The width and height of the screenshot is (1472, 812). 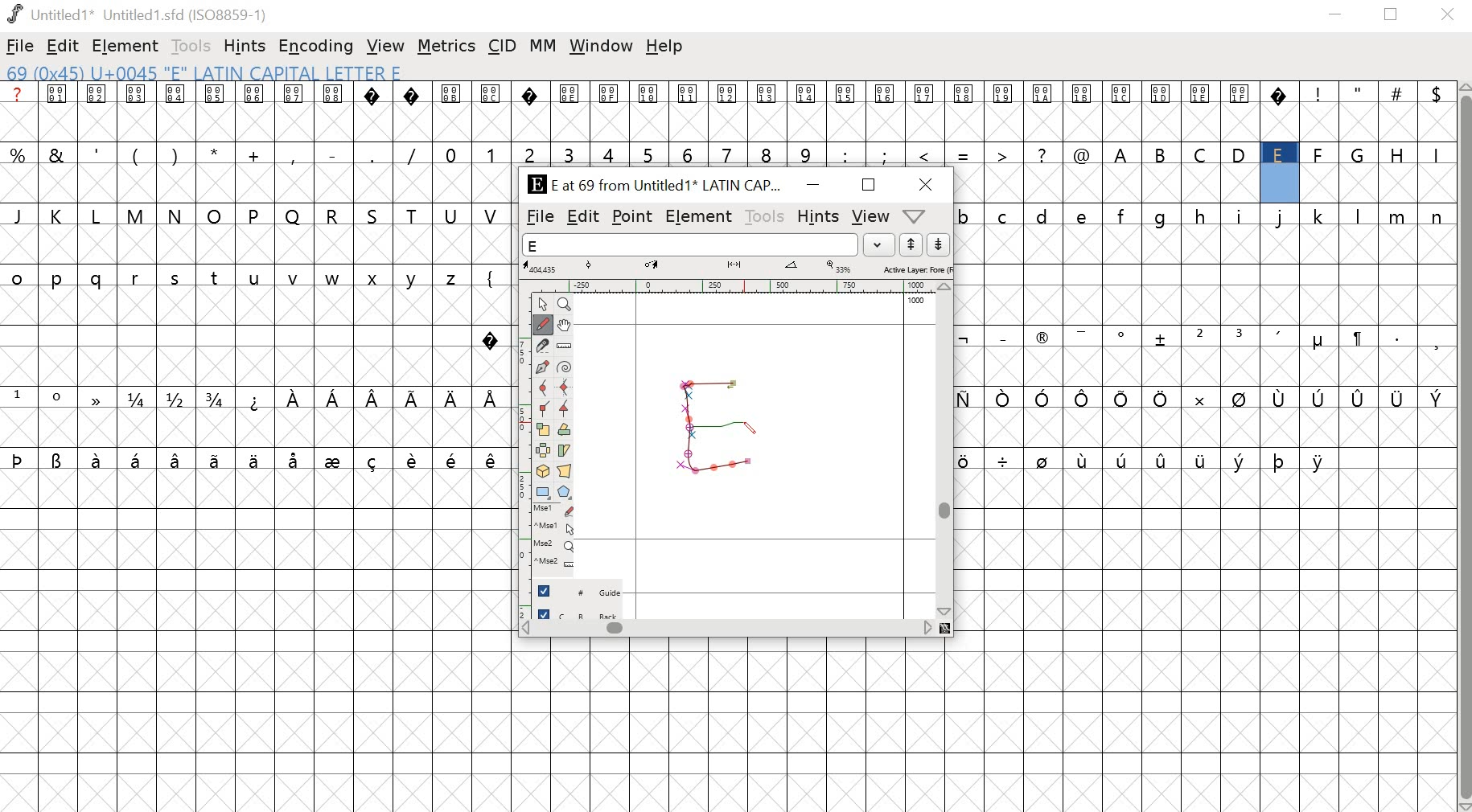 I want to click on uppercase alphabets, so click(x=1274, y=154).